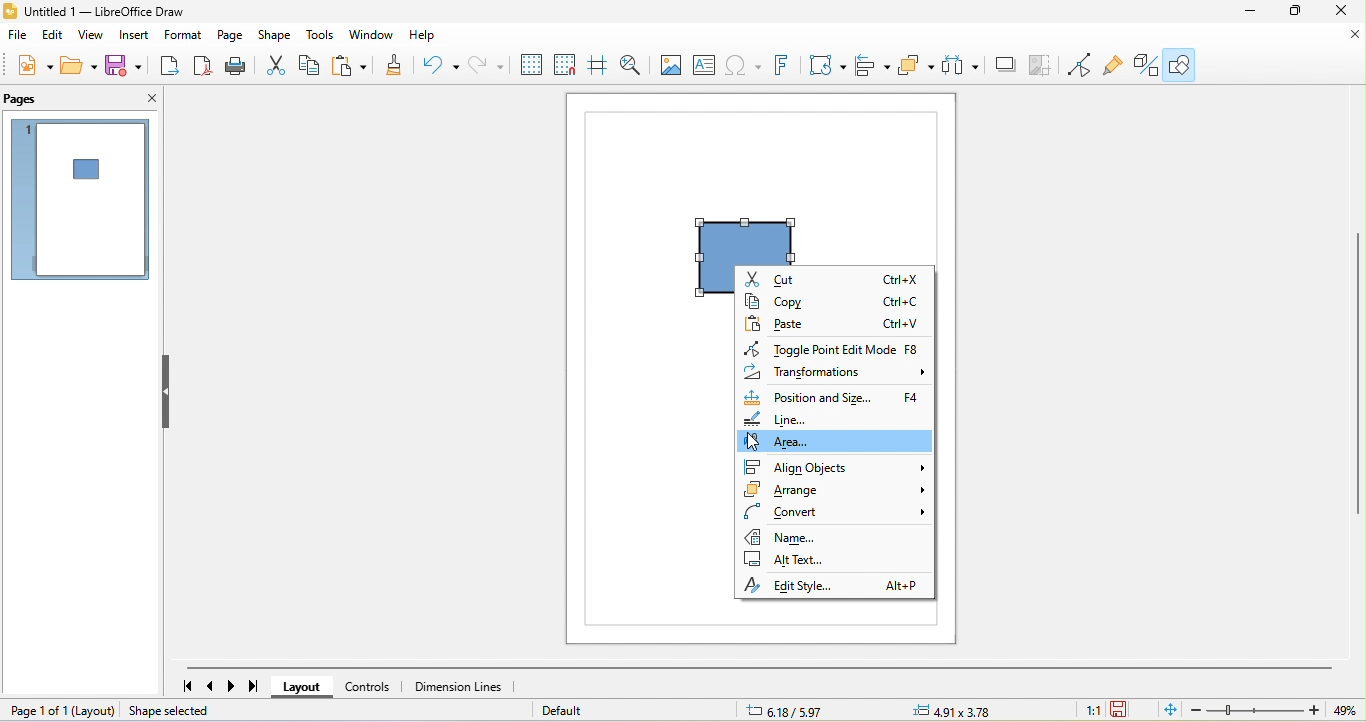 This screenshot has width=1366, height=722. What do you see at coordinates (240, 68) in the screenshot?
I see `print` at bounding box center [240, 68].